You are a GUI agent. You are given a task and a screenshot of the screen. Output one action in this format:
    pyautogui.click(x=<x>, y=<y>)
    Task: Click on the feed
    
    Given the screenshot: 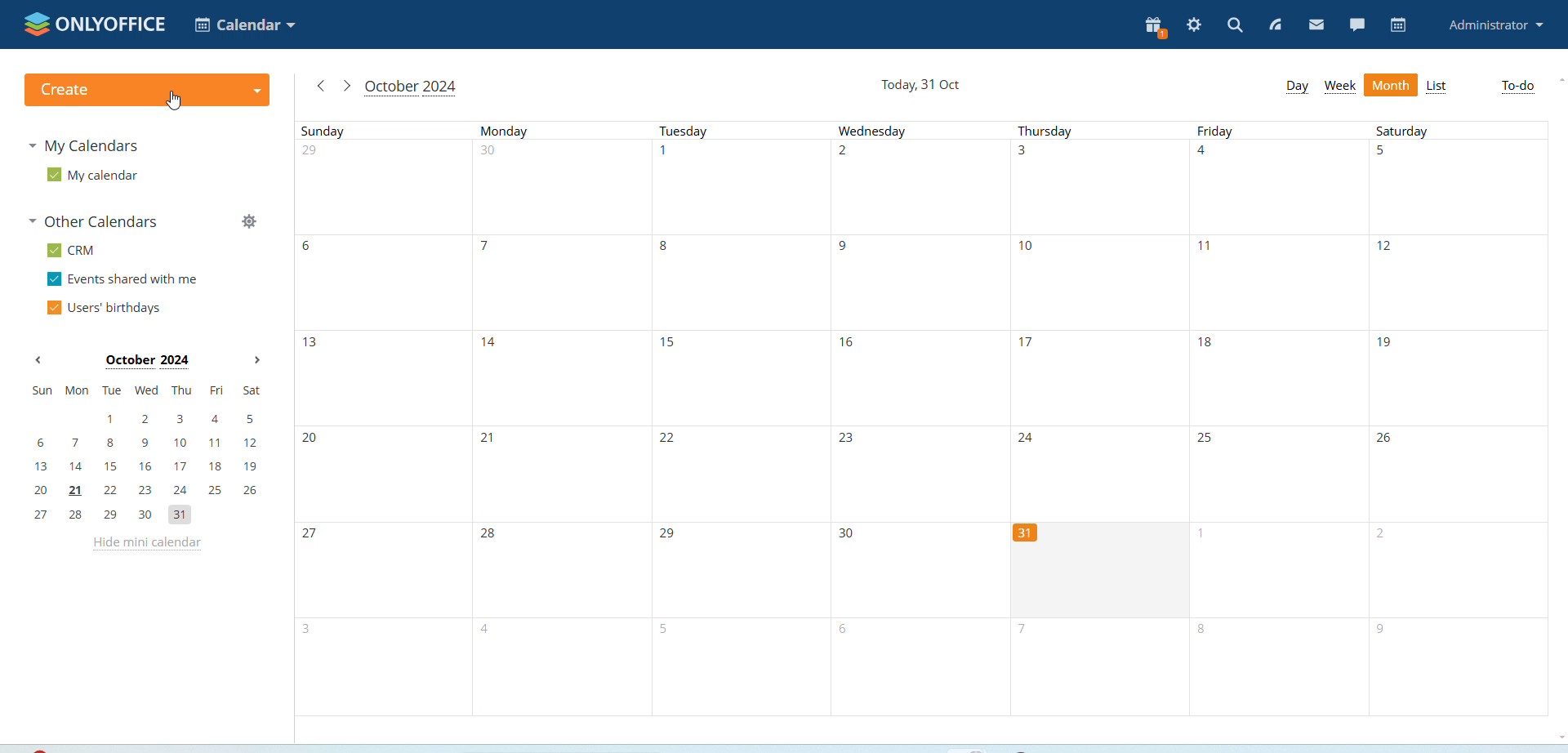 What is the action you would take?
    pyautogui.click(x=1274, y=26)
    